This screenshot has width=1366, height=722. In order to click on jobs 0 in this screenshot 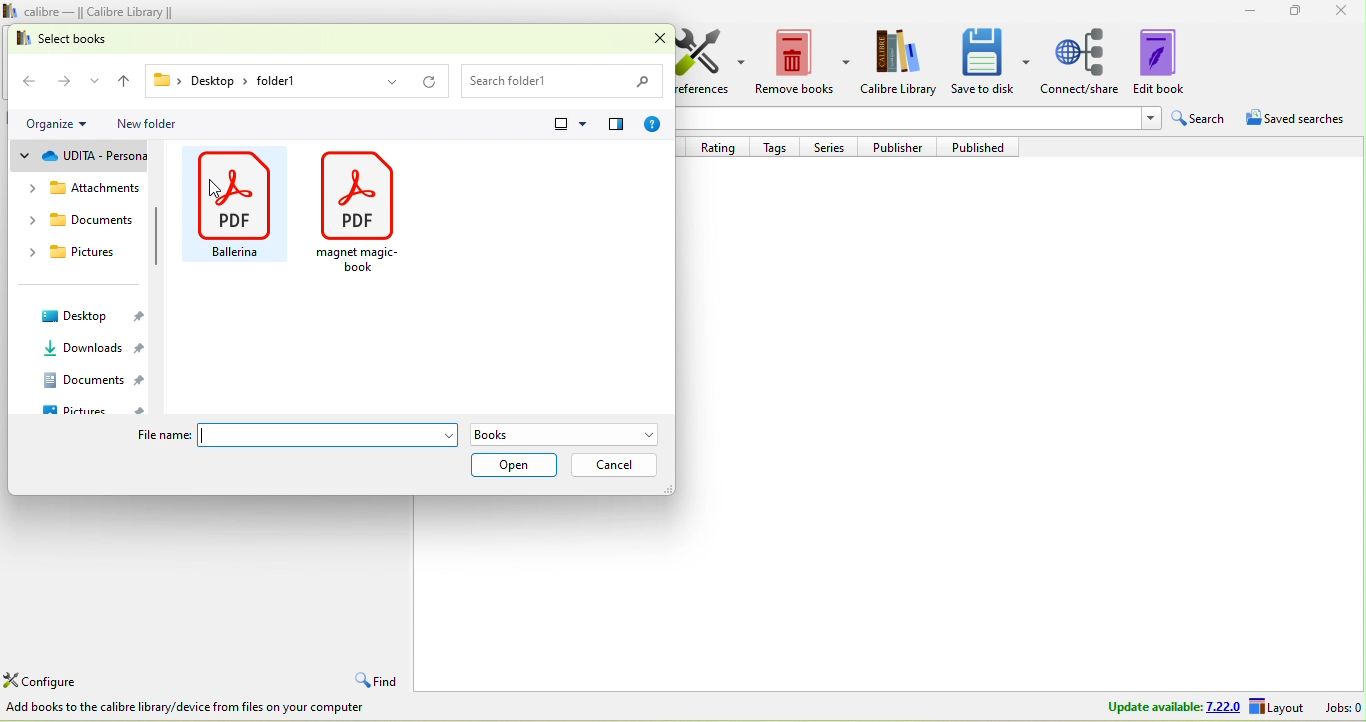, I will do `click(1340, 707)`.